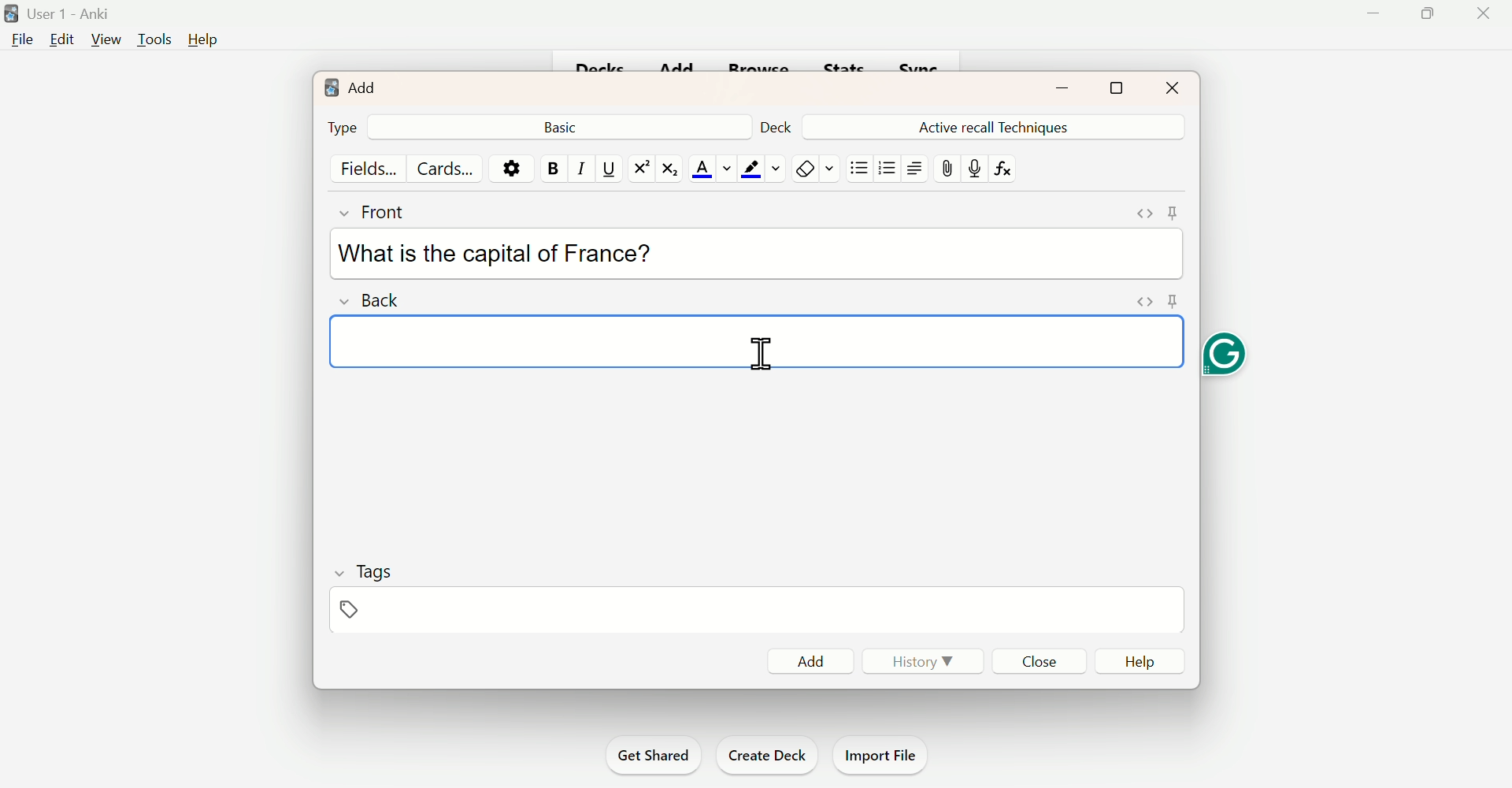 This screenshot has width=1512, height=788. What do you see at coordinates (369, 592) in the screenshot?
I see `Tags` at bounding box center [369, 592].